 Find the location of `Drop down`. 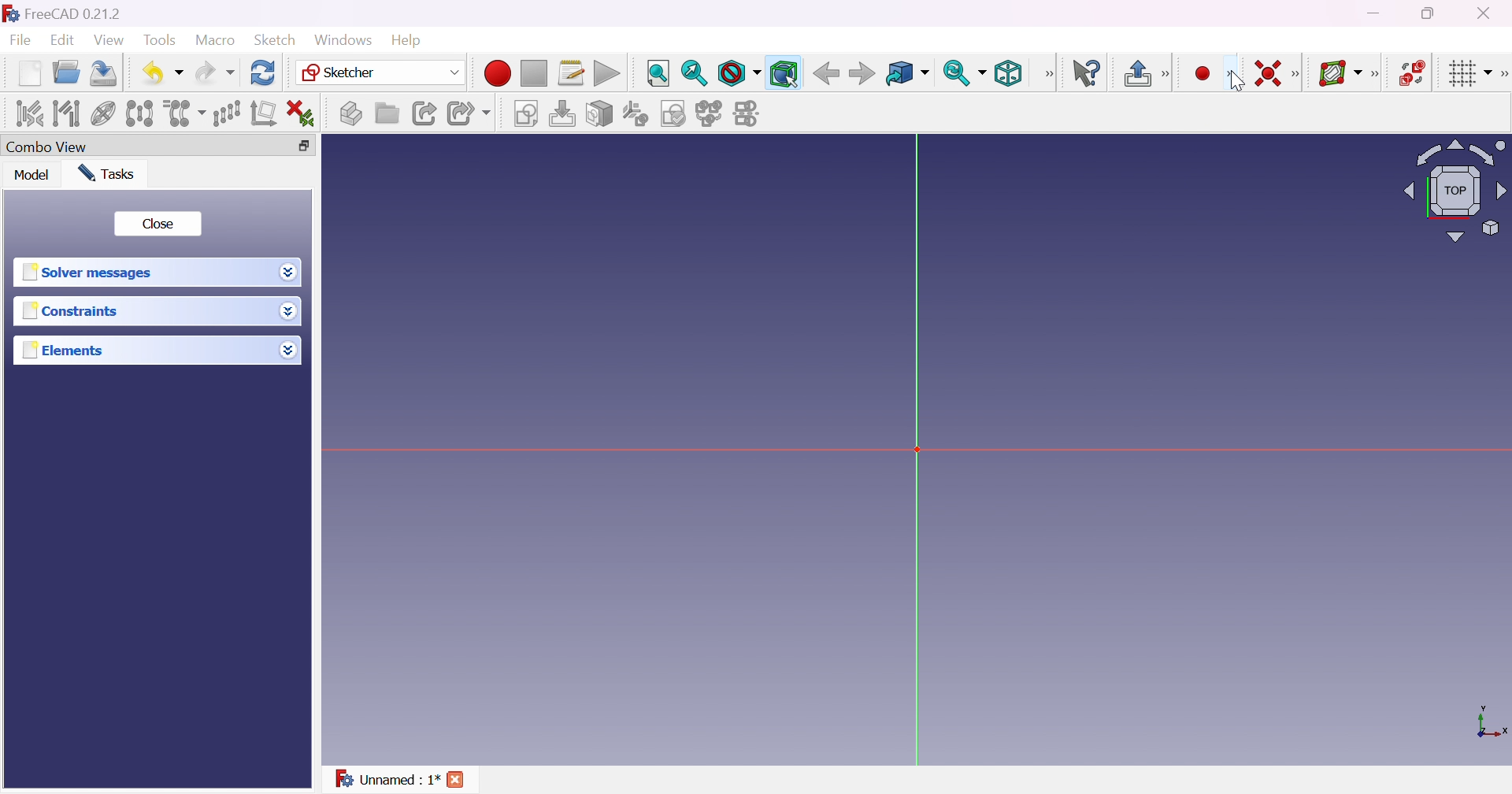

Drop down is located at coordinates (288, 310).